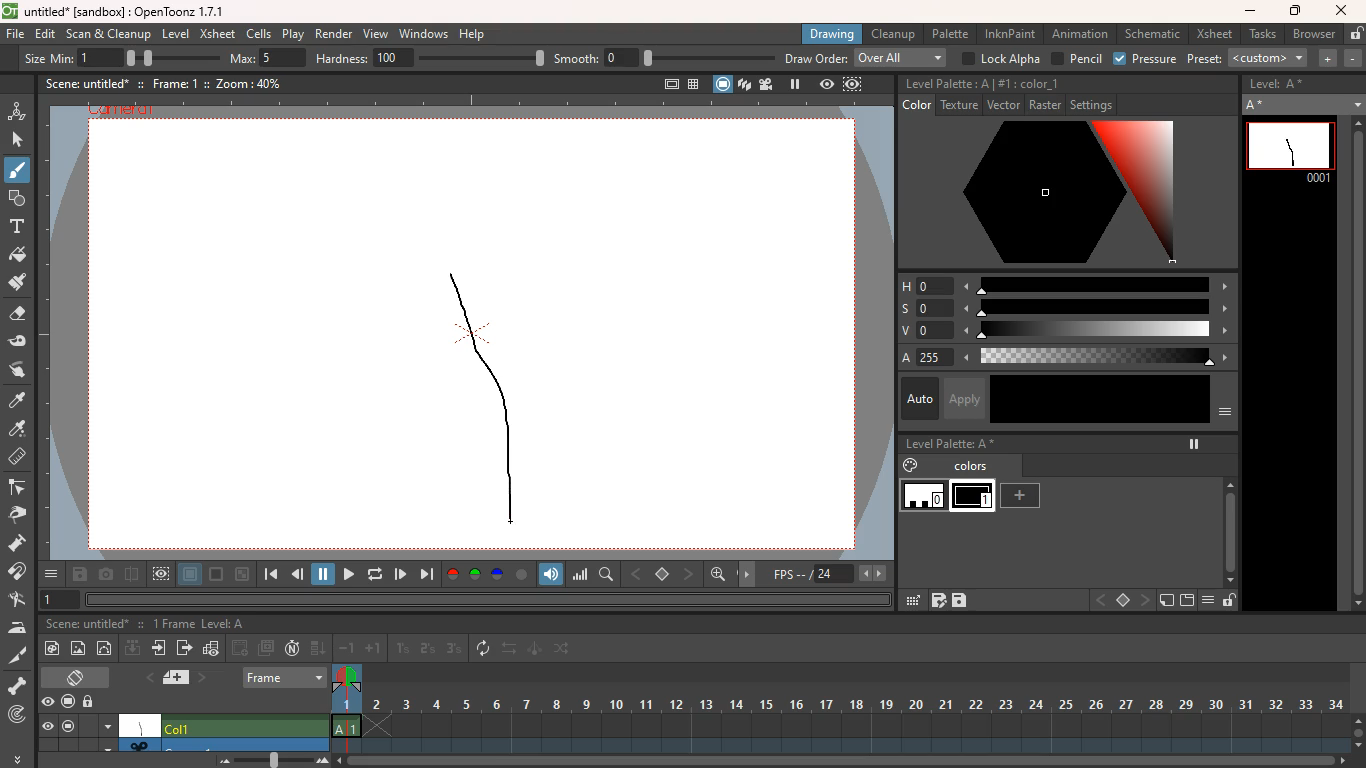 This screenshot has height=768, width=1366. I want to click on layer, so click(172, 678).